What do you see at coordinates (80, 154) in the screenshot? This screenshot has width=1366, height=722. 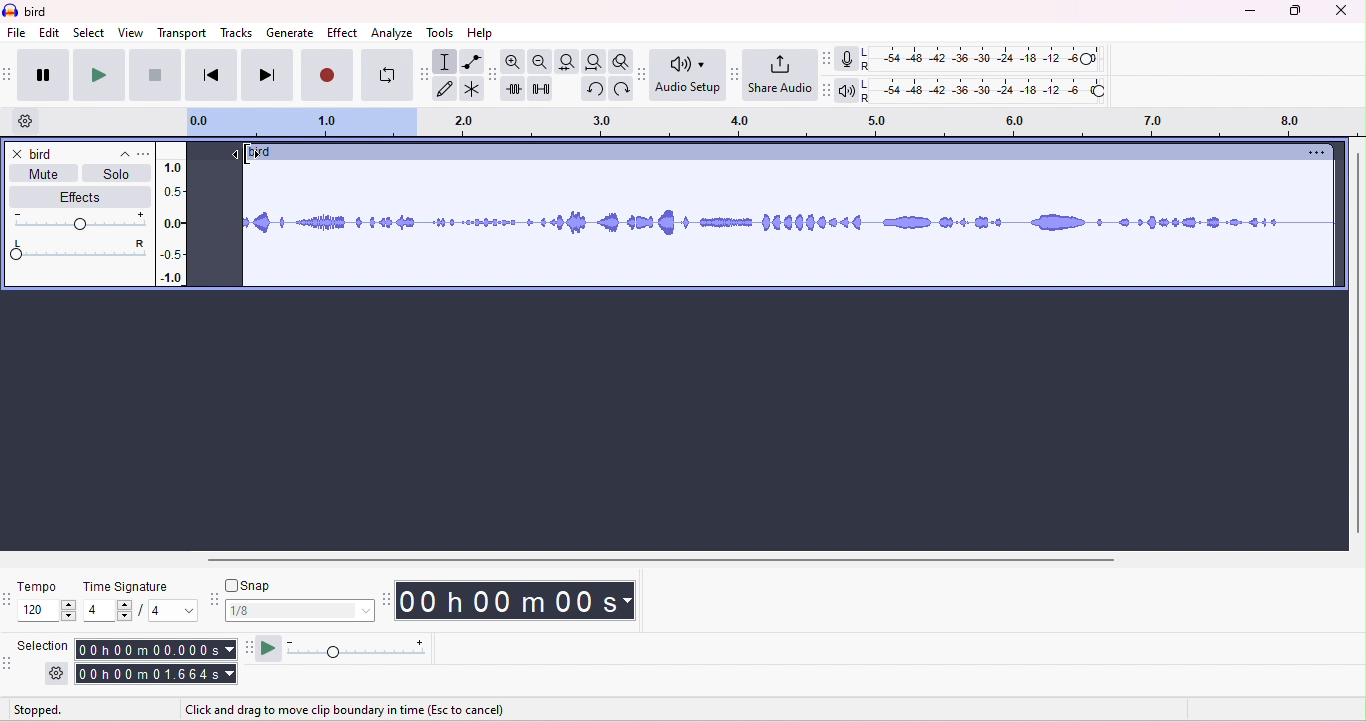 I see `track title` at bounding box center [80, 154].